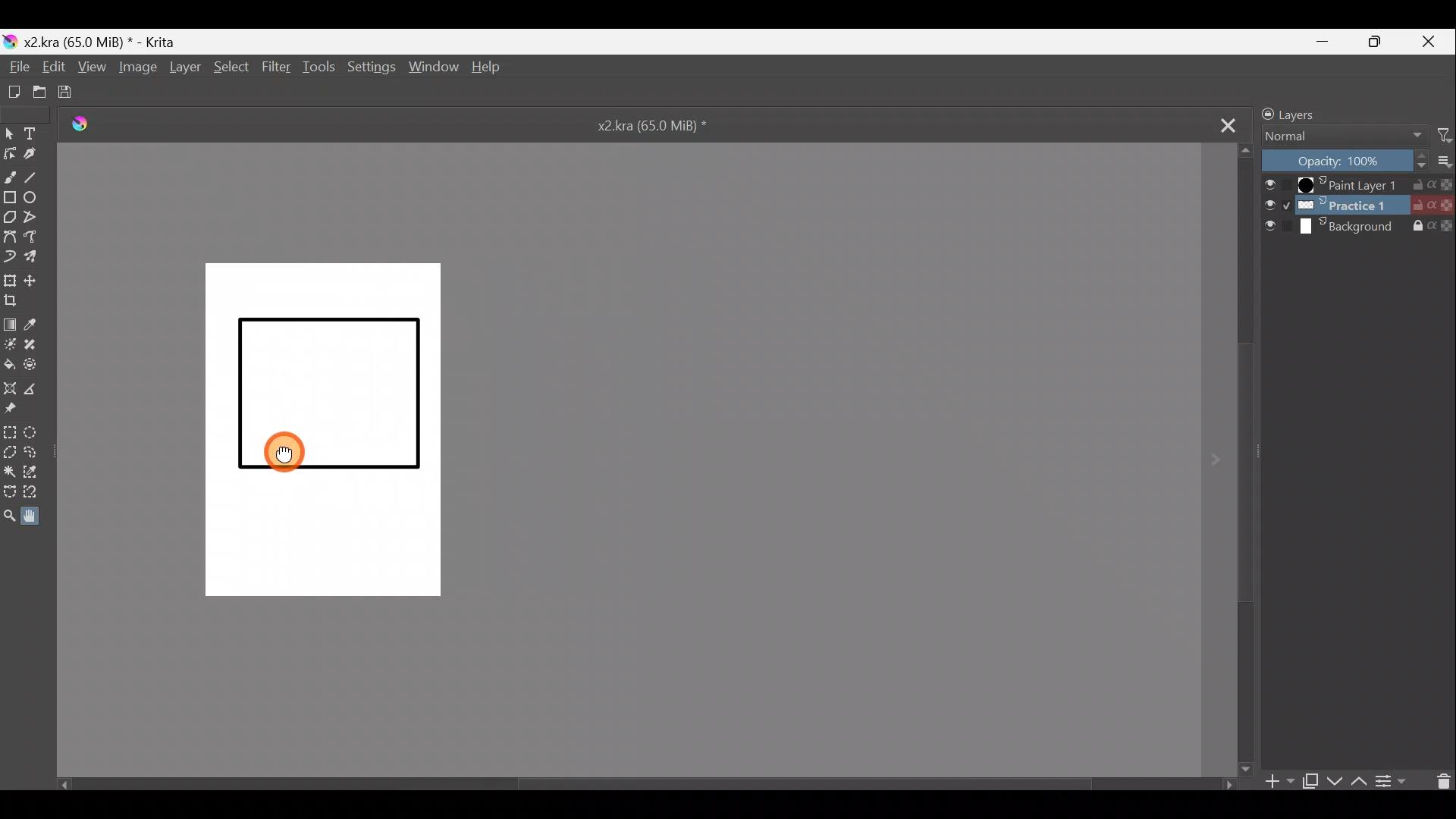 The image size is (1456, 819). Describe the element at coordinates (1429, 42) in the screenshot. I see `Close` at that location.